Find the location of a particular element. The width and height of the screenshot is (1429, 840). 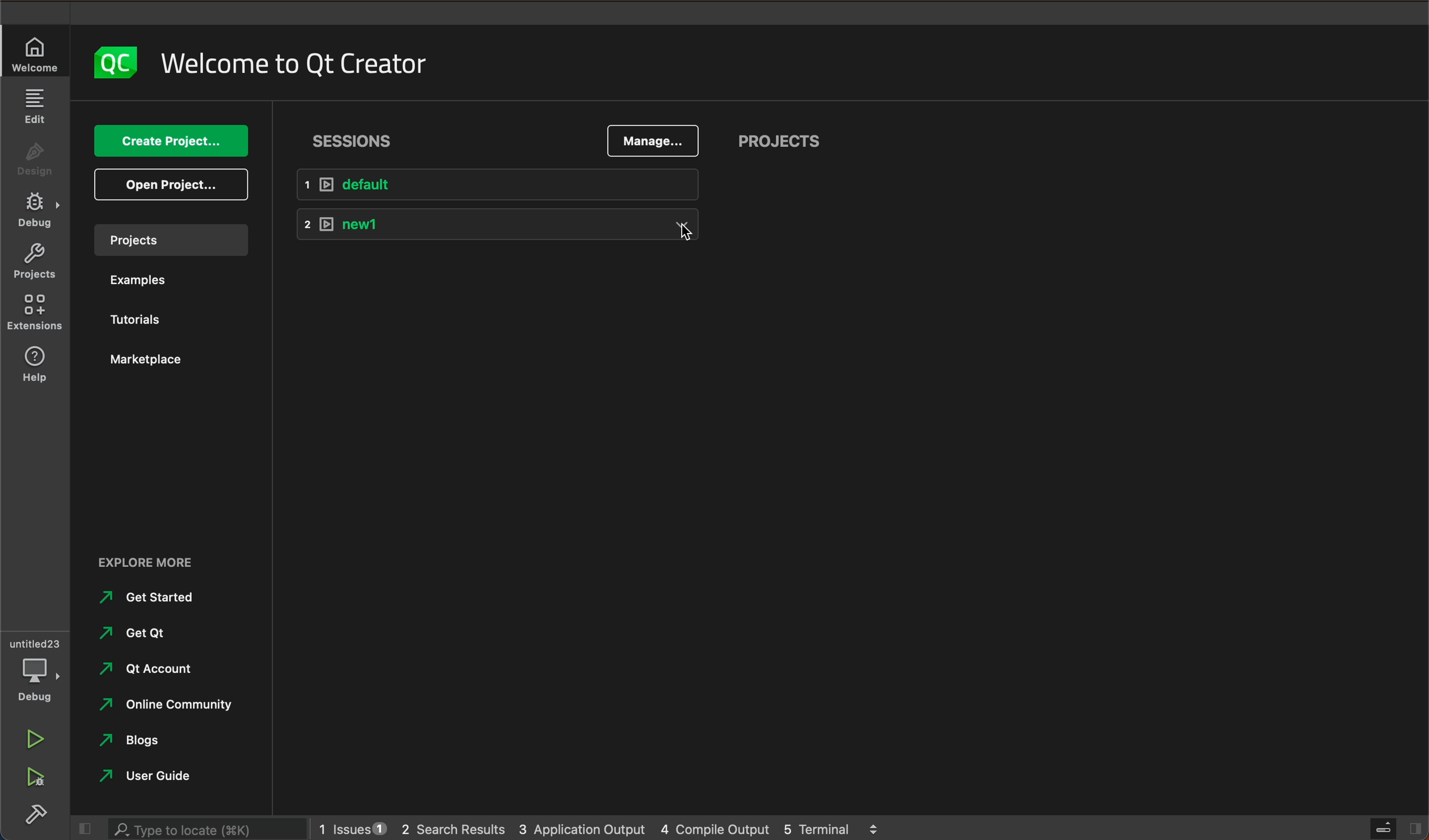

NEW is located at coordinates (504, 228).